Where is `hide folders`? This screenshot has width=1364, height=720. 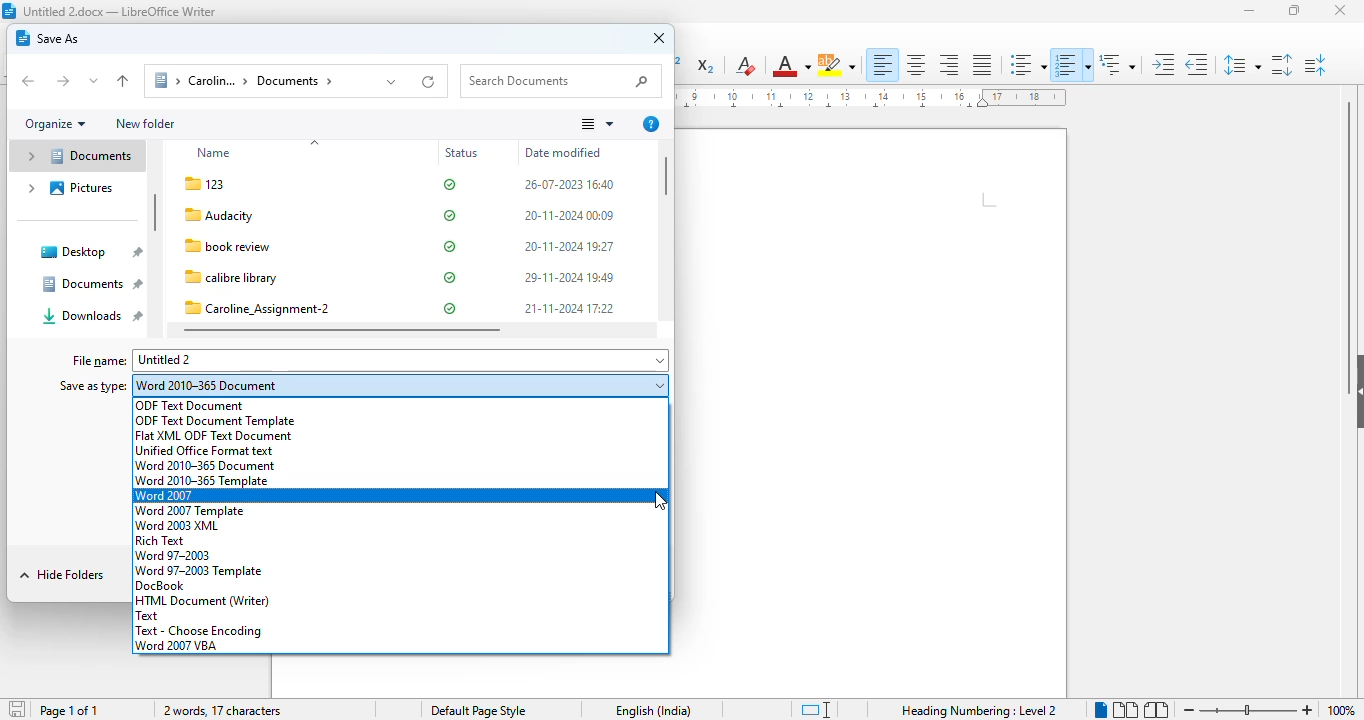
hide folders is located at coordinates (62, 574).